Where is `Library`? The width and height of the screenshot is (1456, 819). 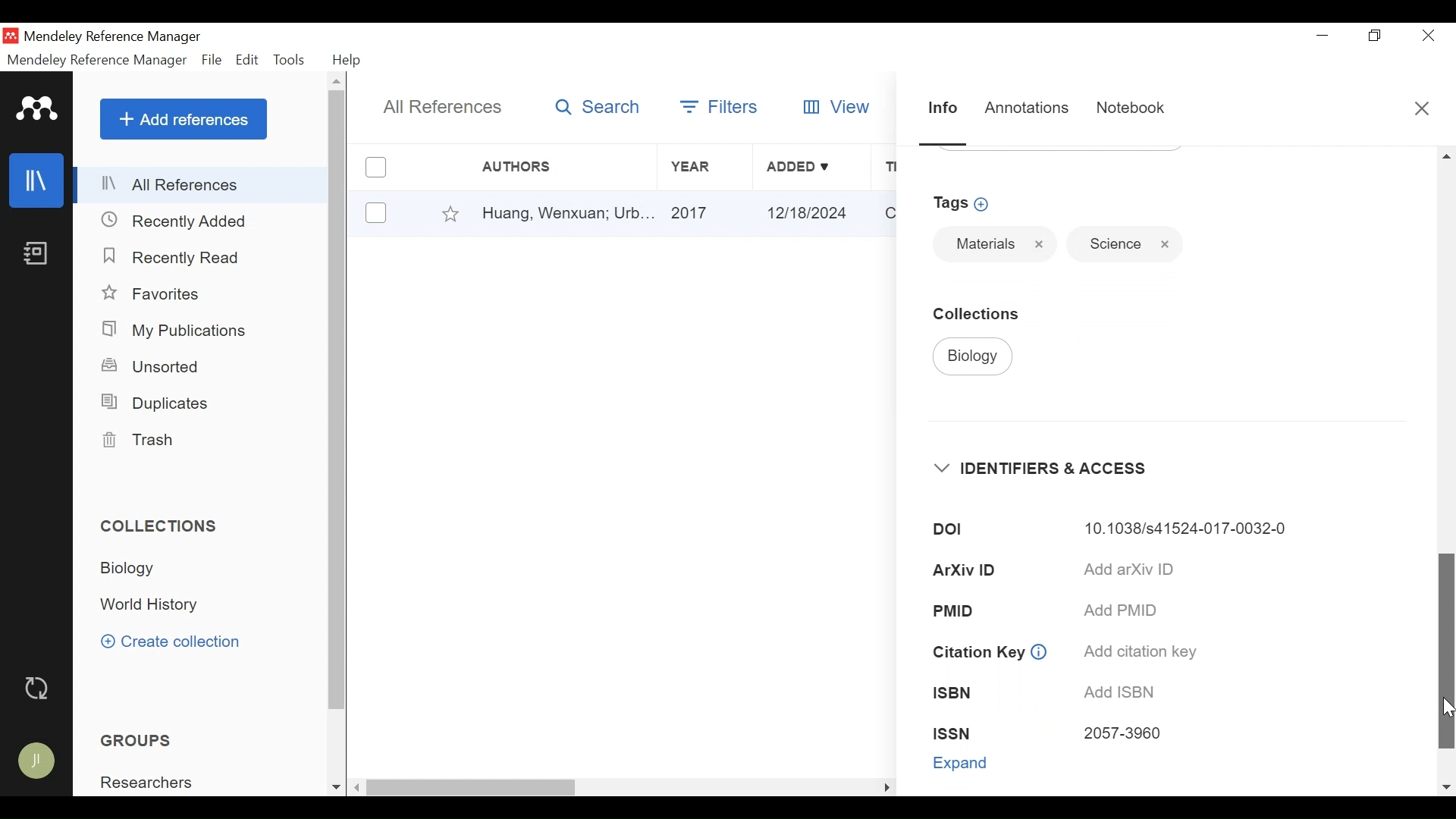 Library is located at coordinates (39, 180).